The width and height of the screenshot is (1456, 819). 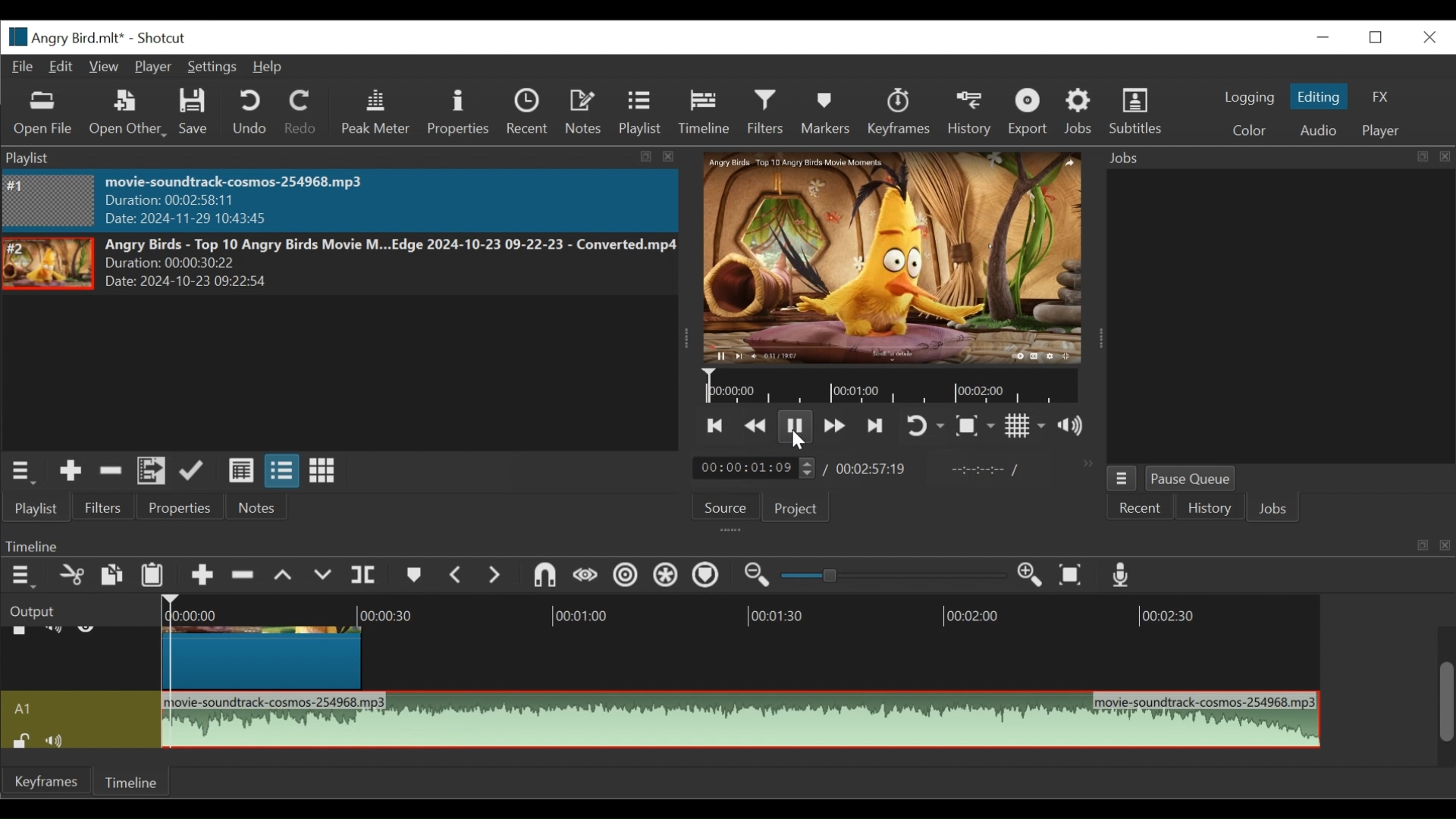 I want to click on Split Playhead, so click(x=363, y=576).